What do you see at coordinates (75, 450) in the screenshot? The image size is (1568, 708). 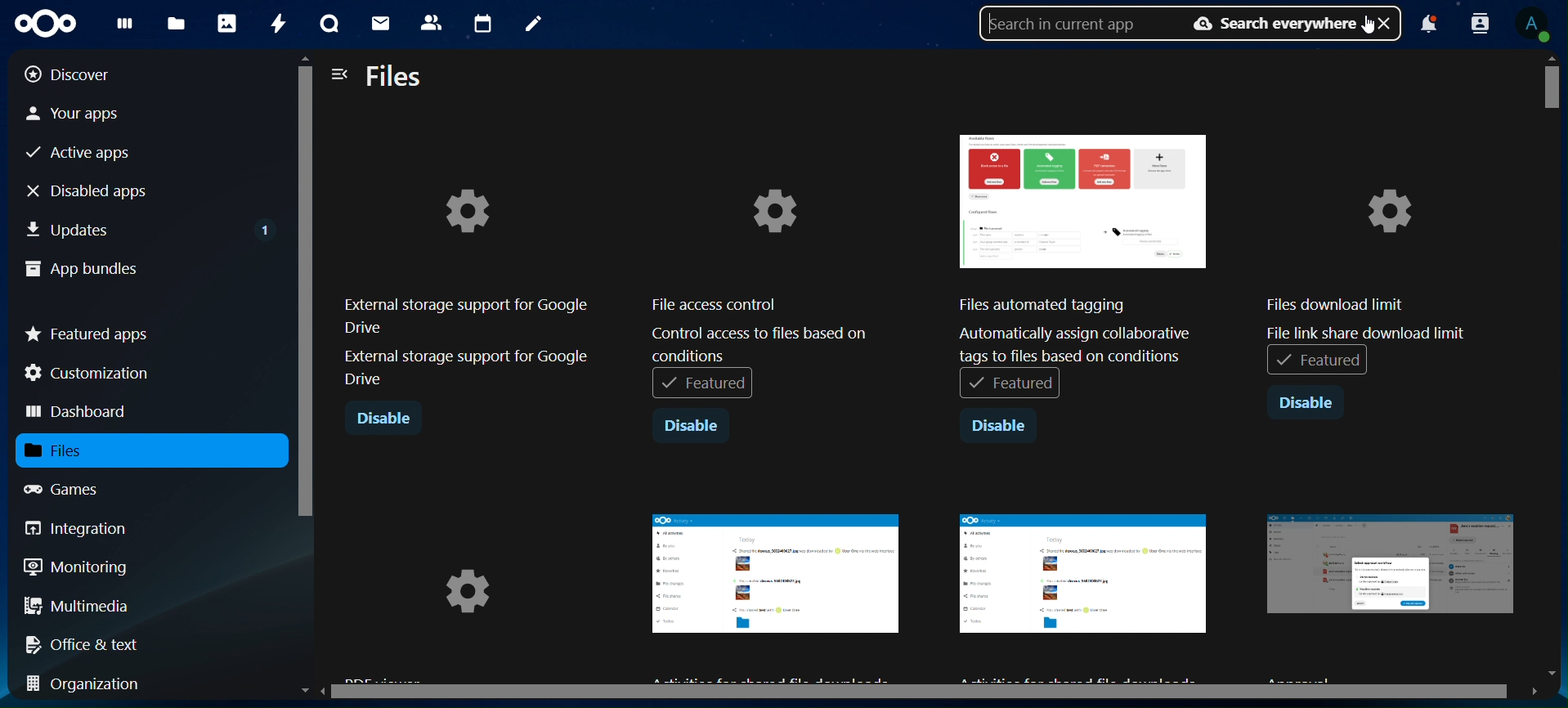 I see `files` at bounding box center [75, 450].